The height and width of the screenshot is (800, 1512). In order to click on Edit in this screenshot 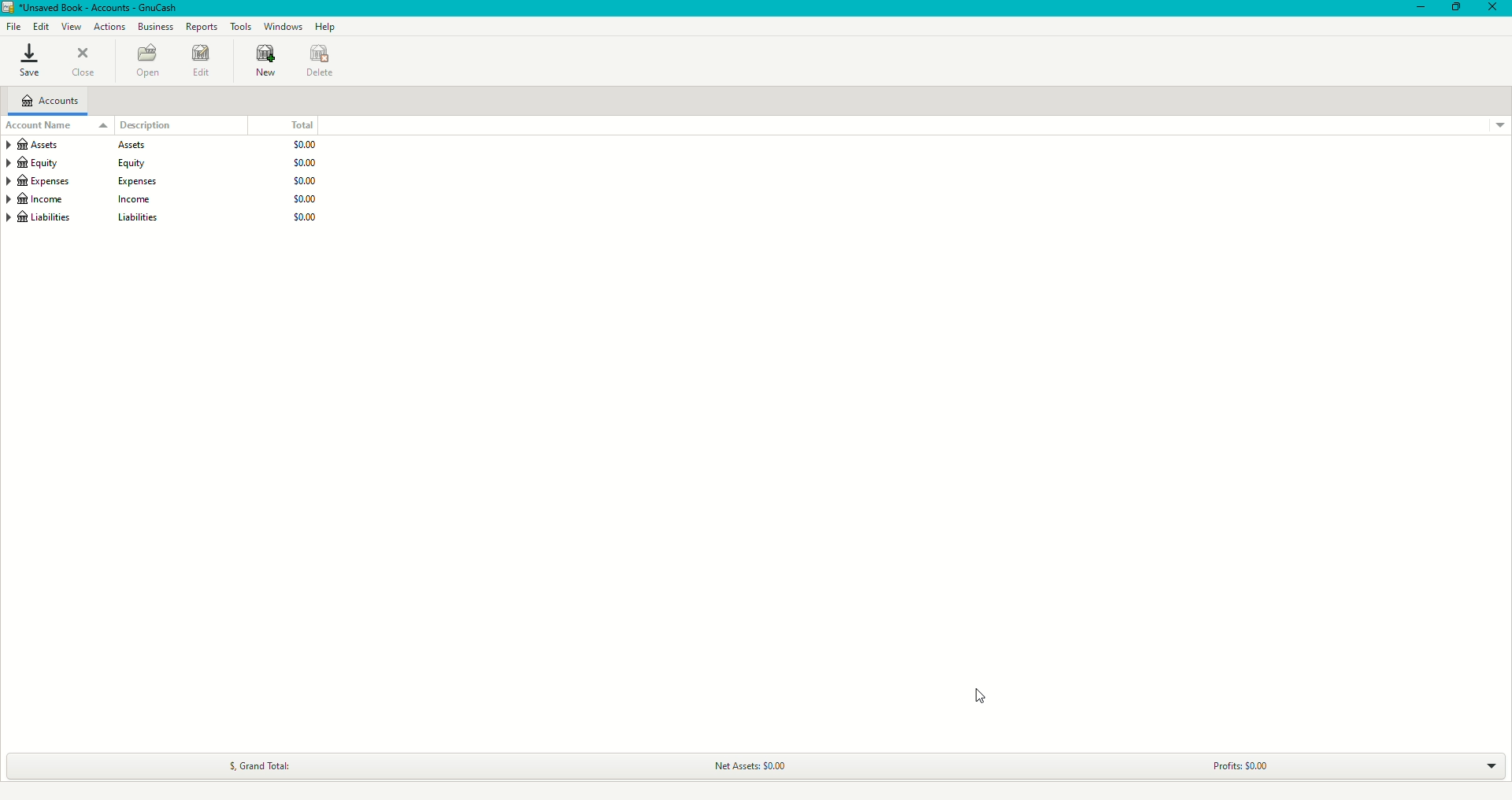, I will do `click(40, 26)`.